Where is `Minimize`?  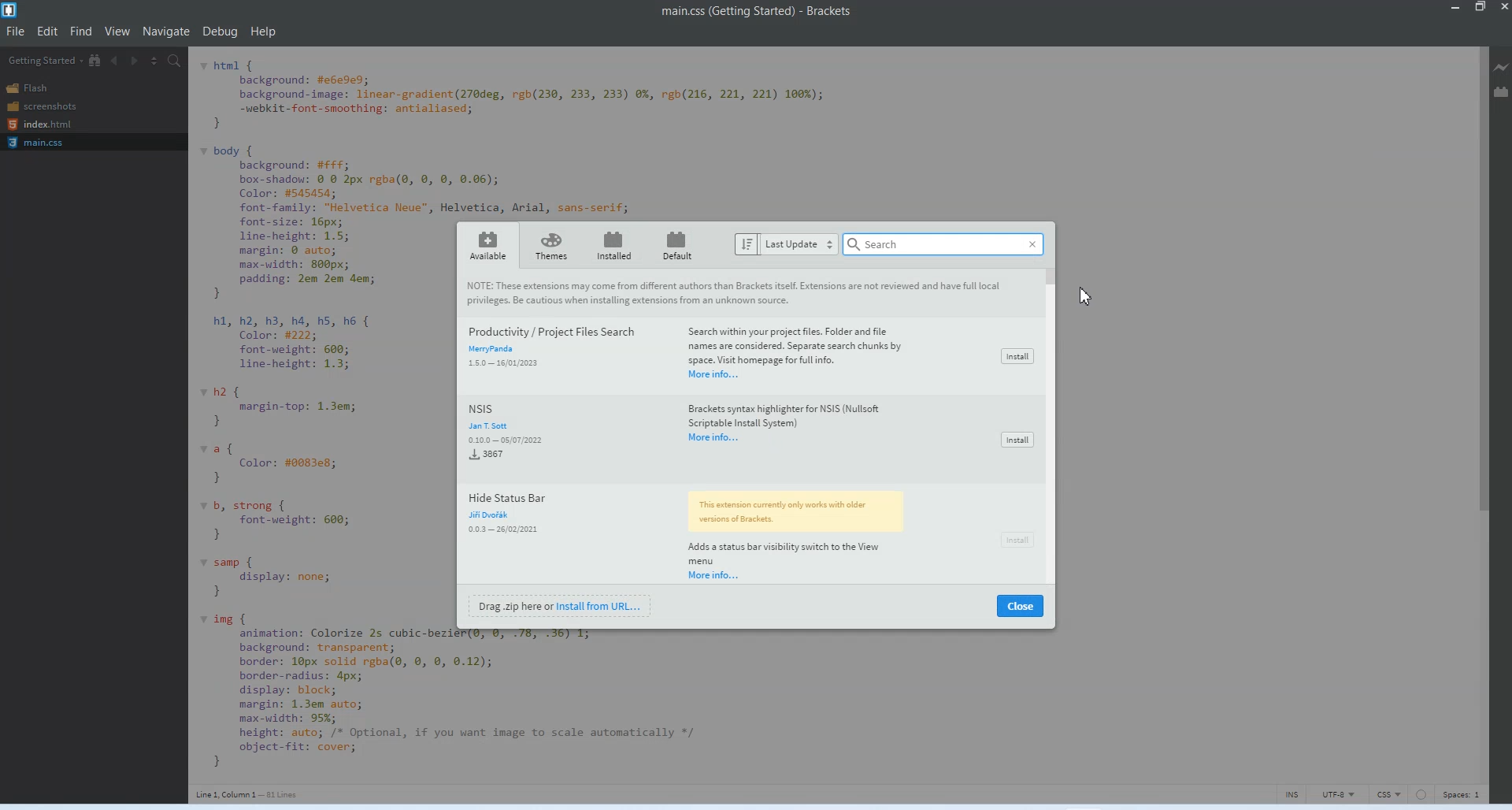
Minimize is located at coordinates (1456, 8).